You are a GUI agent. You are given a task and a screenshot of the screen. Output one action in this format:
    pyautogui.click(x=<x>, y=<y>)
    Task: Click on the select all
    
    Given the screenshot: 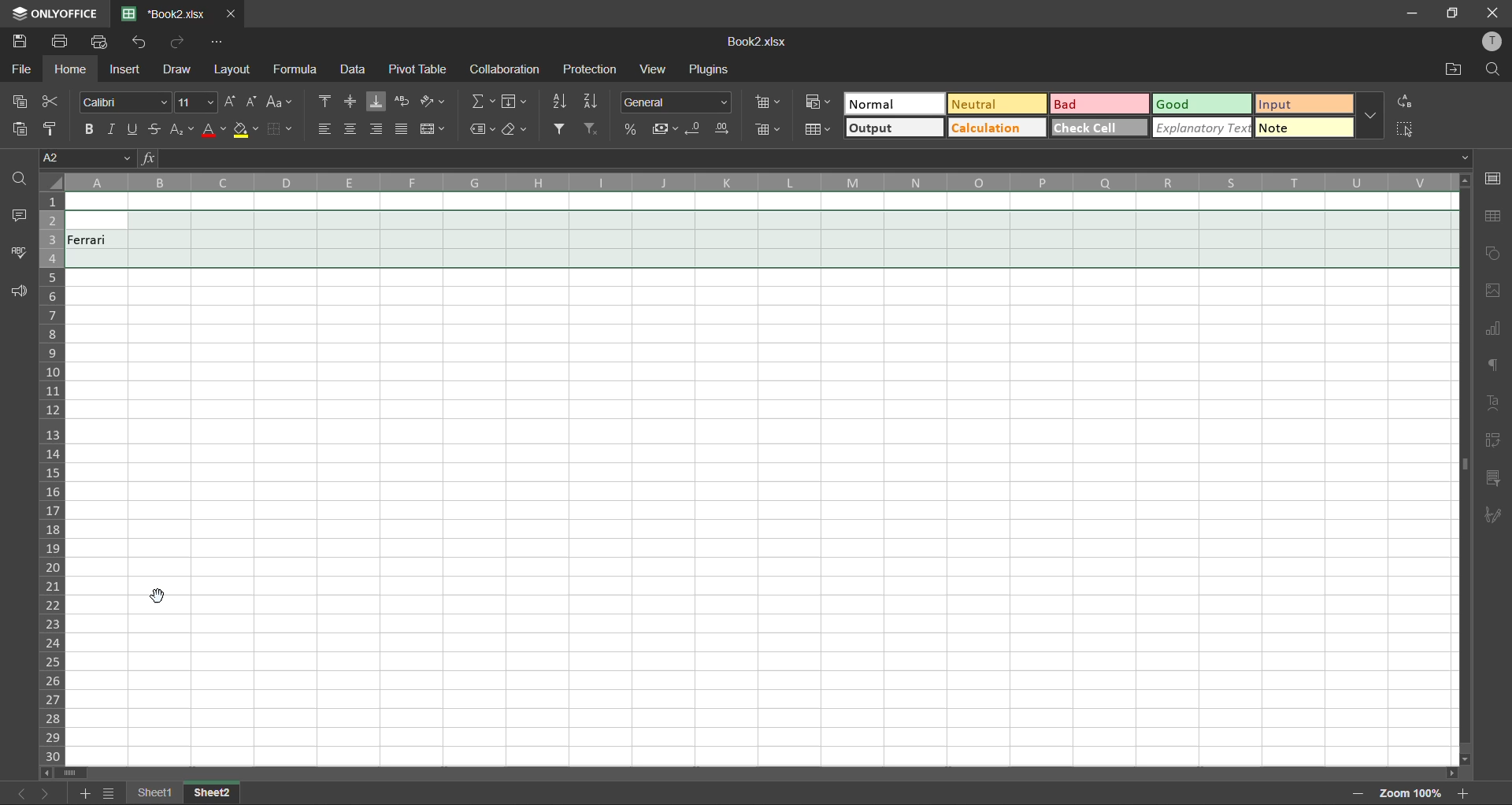 What is the action you would take?
    pyautogui.click(x=1405, y=128)
    